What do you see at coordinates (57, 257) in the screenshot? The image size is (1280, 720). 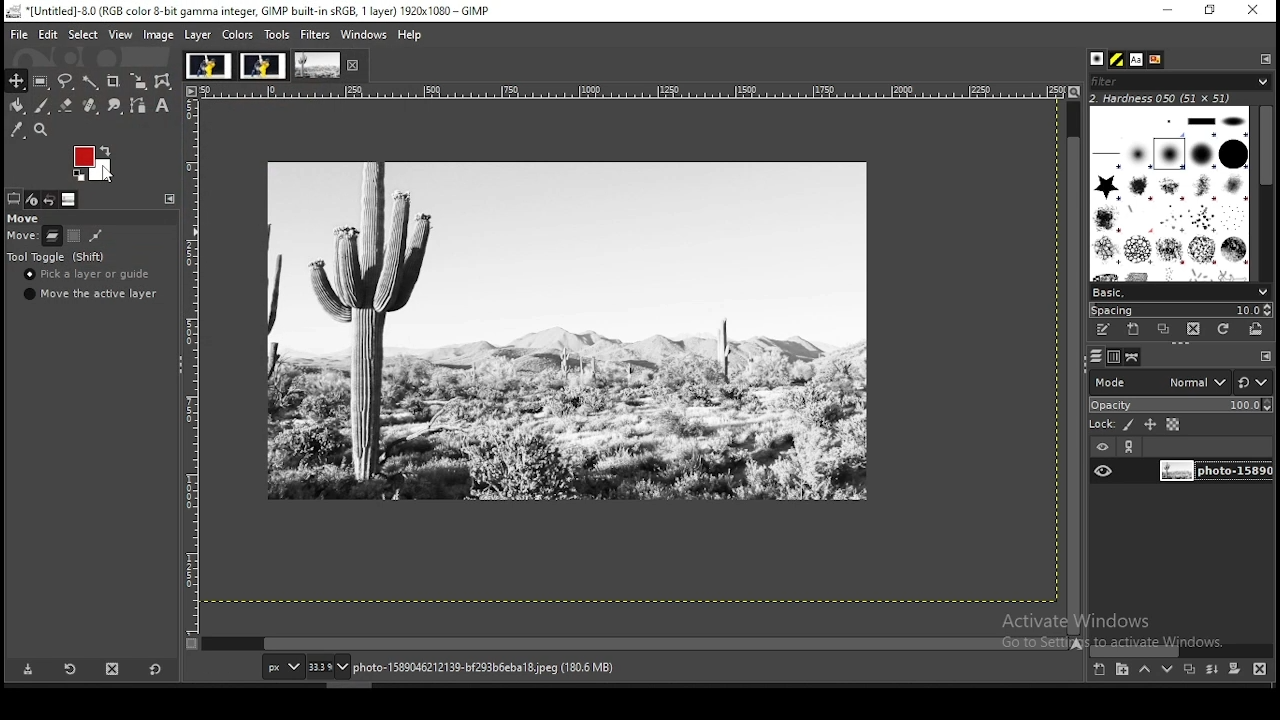 I see `tool toggle` at bounding box center [57, 257].